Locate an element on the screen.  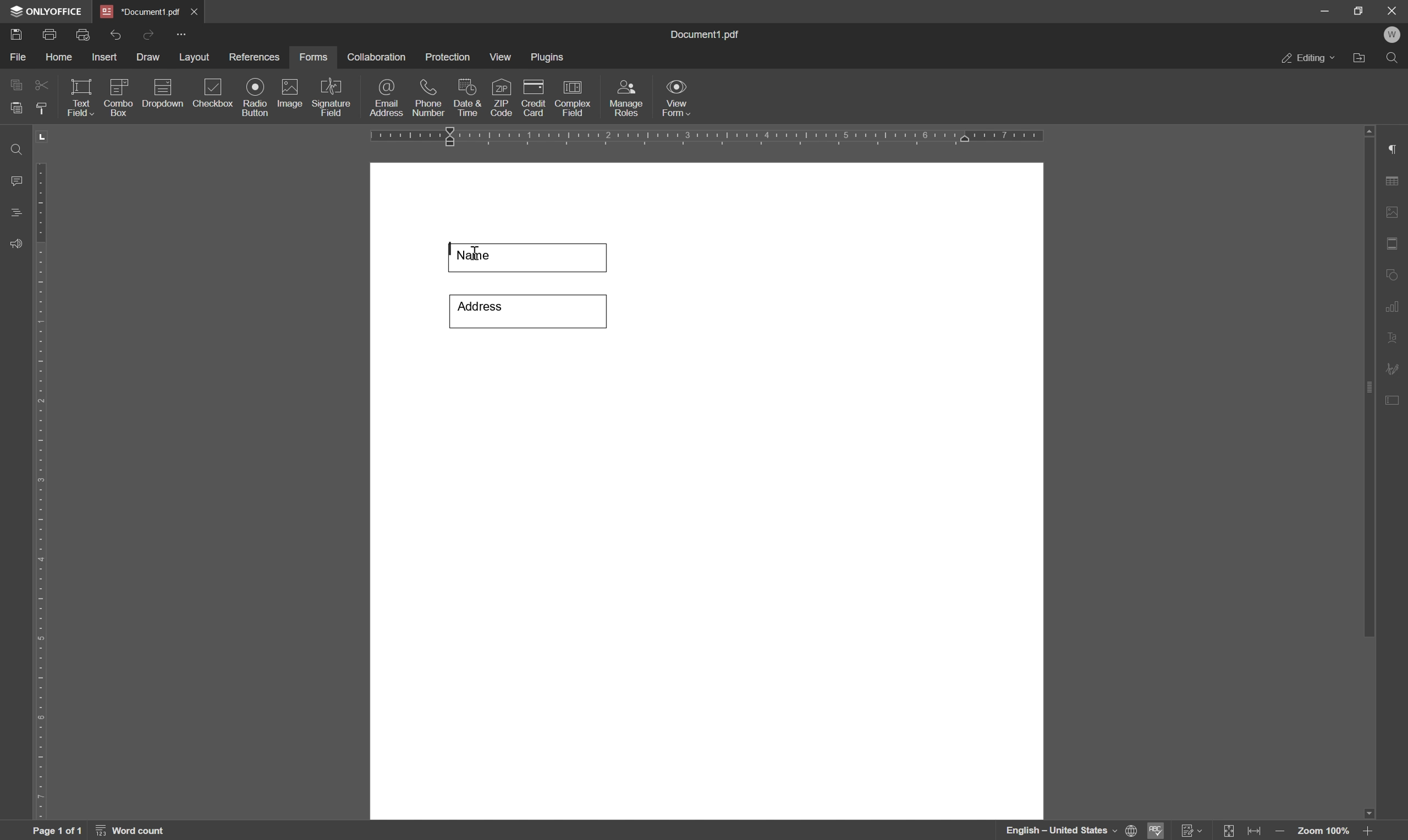
radio button is located at coordinates (254, 97).